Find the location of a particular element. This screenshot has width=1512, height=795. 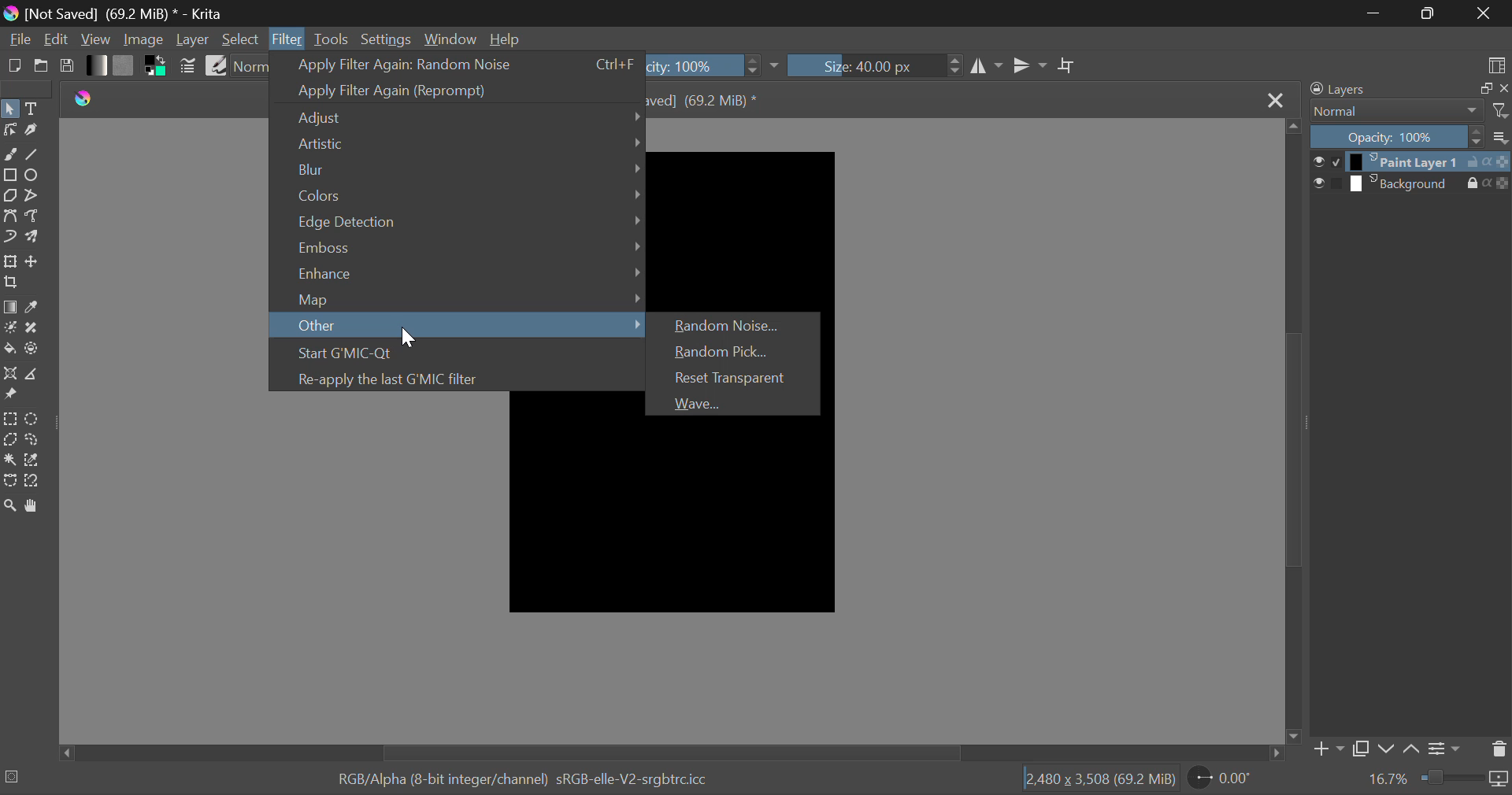

Settings is located at coordinates (387, 38).